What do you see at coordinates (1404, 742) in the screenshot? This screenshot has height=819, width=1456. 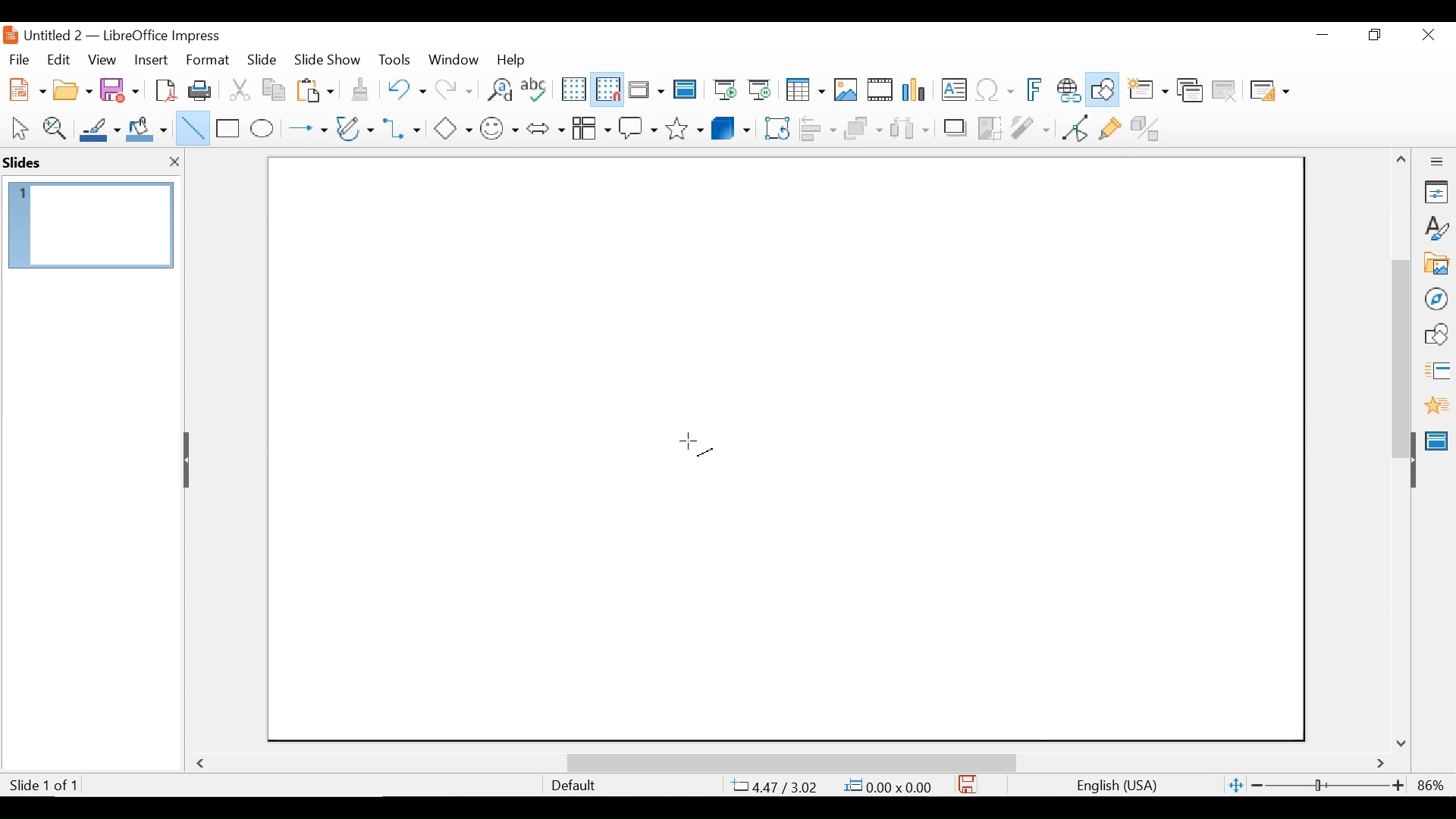 I see `86%` at bounding box center [1404, 742].